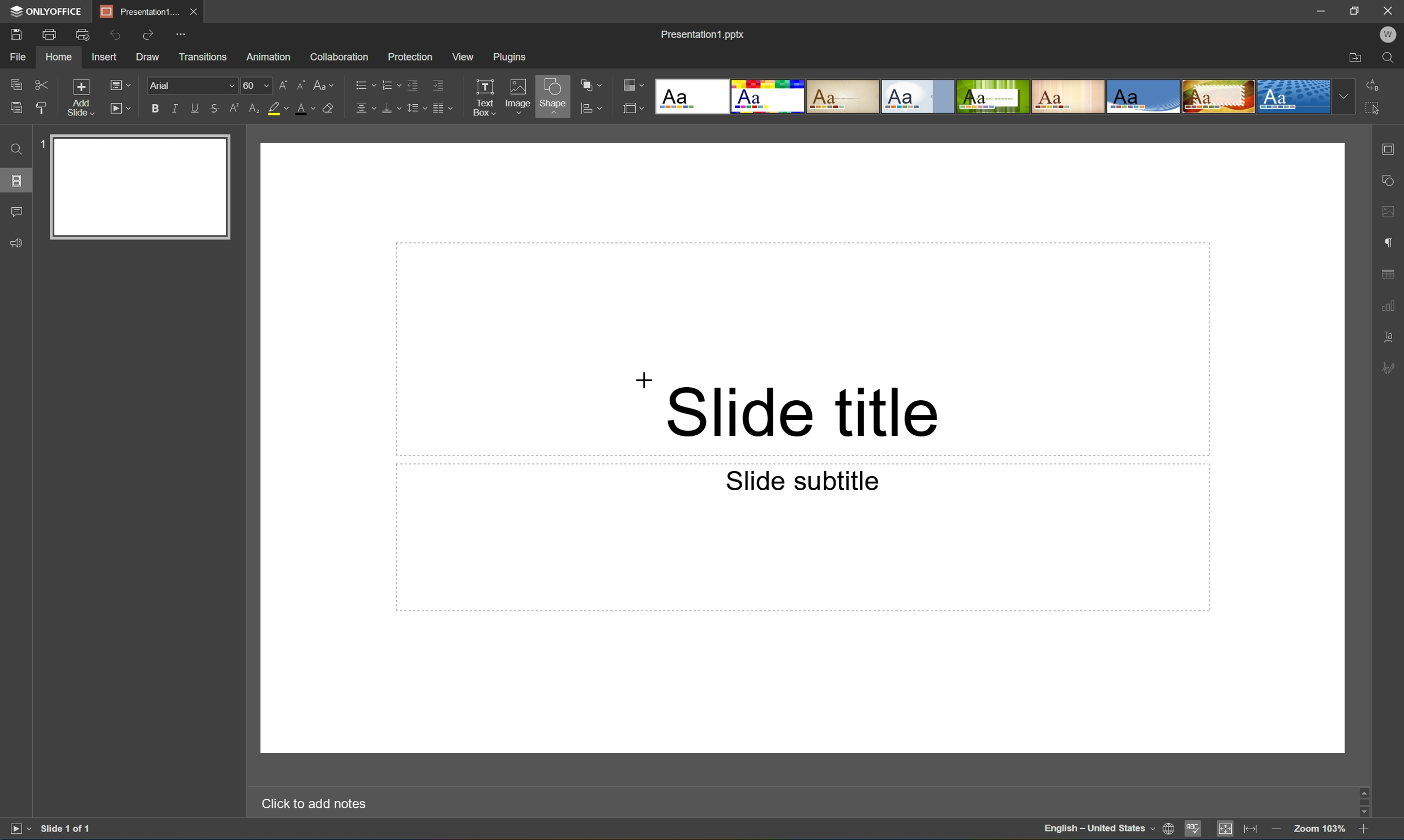 The width and height of the screenshot is (1404, 840). What do you see at coordinates (70, 829) in the screenshot?
I see `Slide 1 of 1` at bounding box center [70, 829].